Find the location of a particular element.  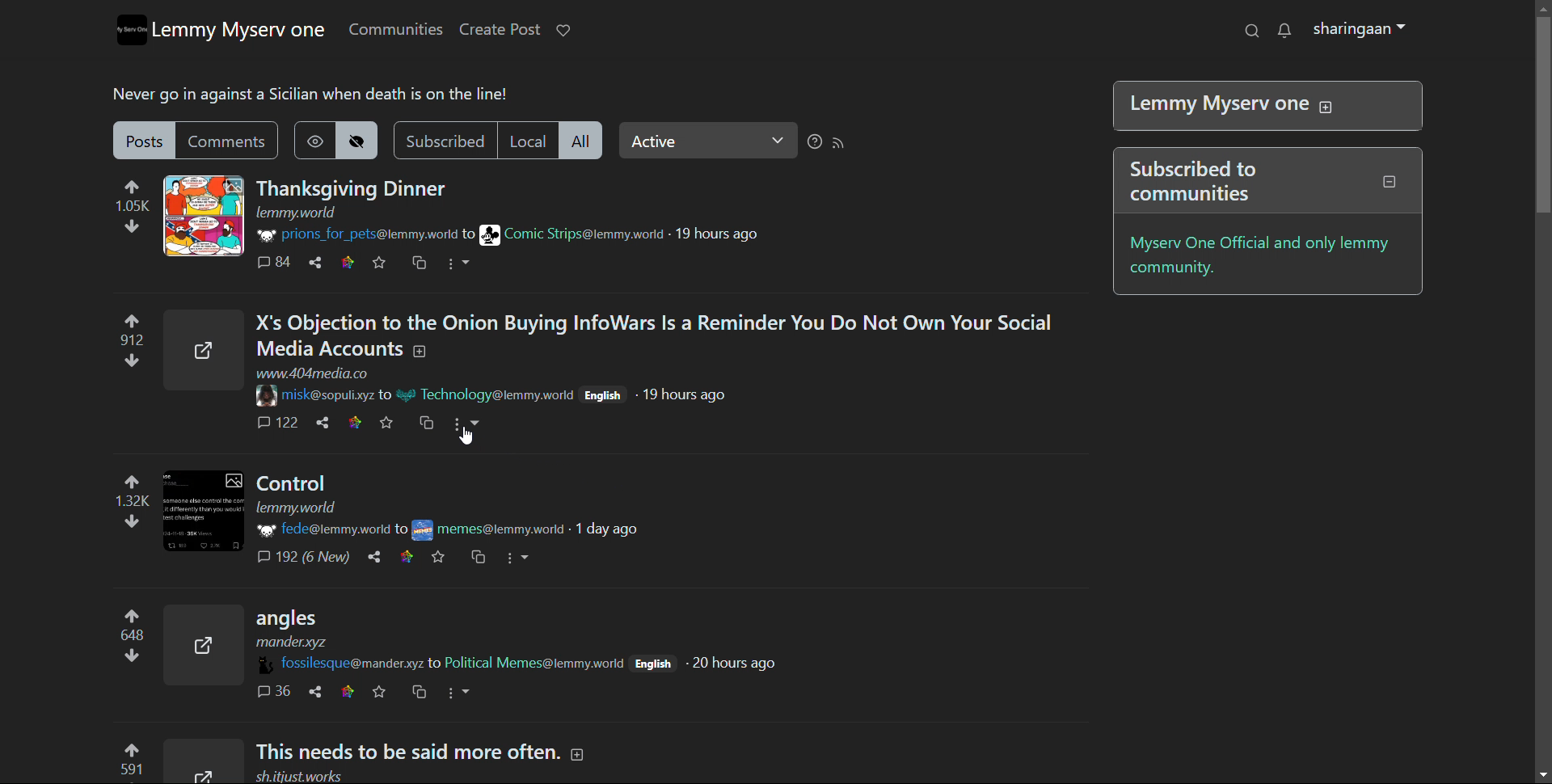

sorting help is located at coordinates (815, 142).